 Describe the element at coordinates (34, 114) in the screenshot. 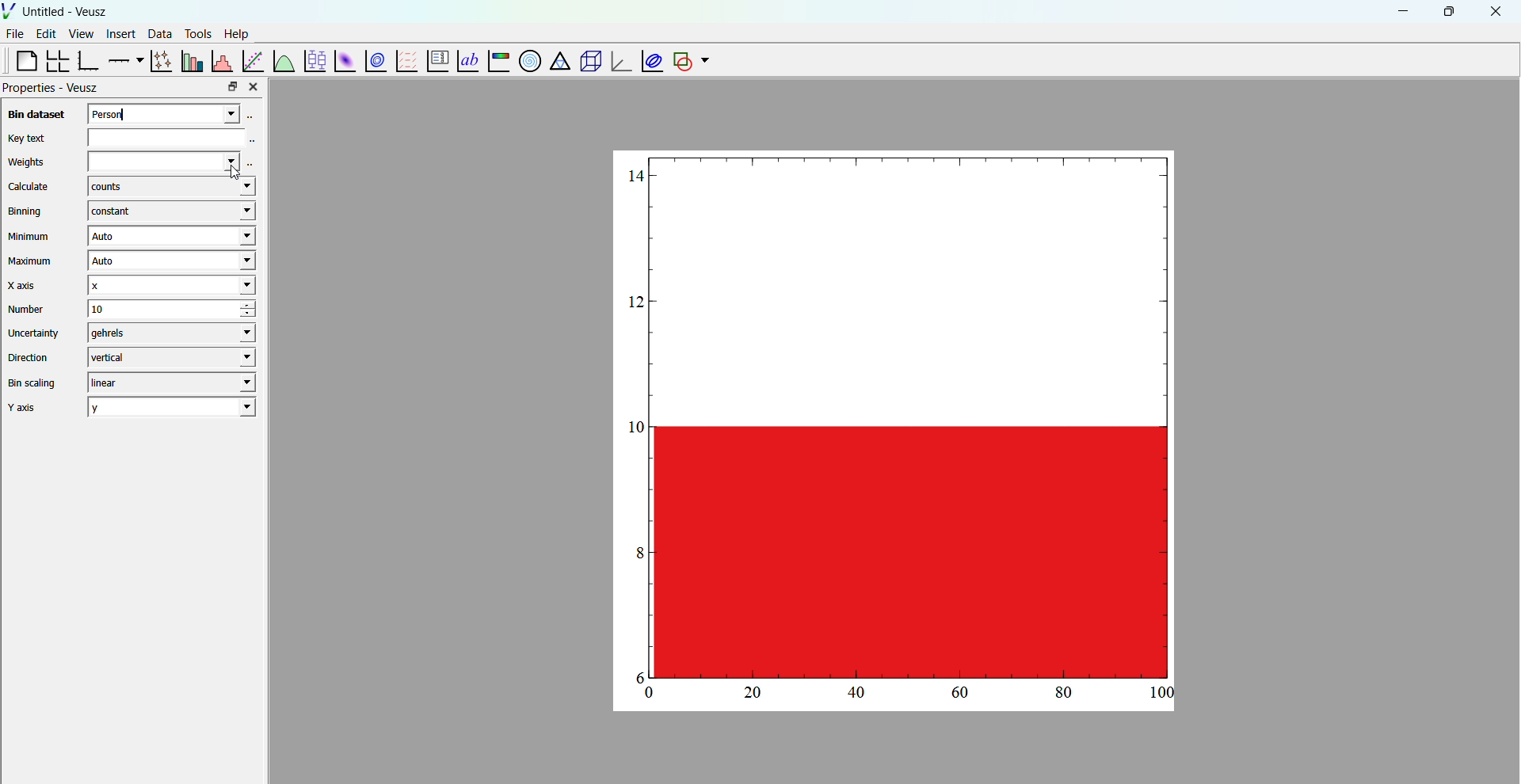

I see `Bin Dataset` at that location.